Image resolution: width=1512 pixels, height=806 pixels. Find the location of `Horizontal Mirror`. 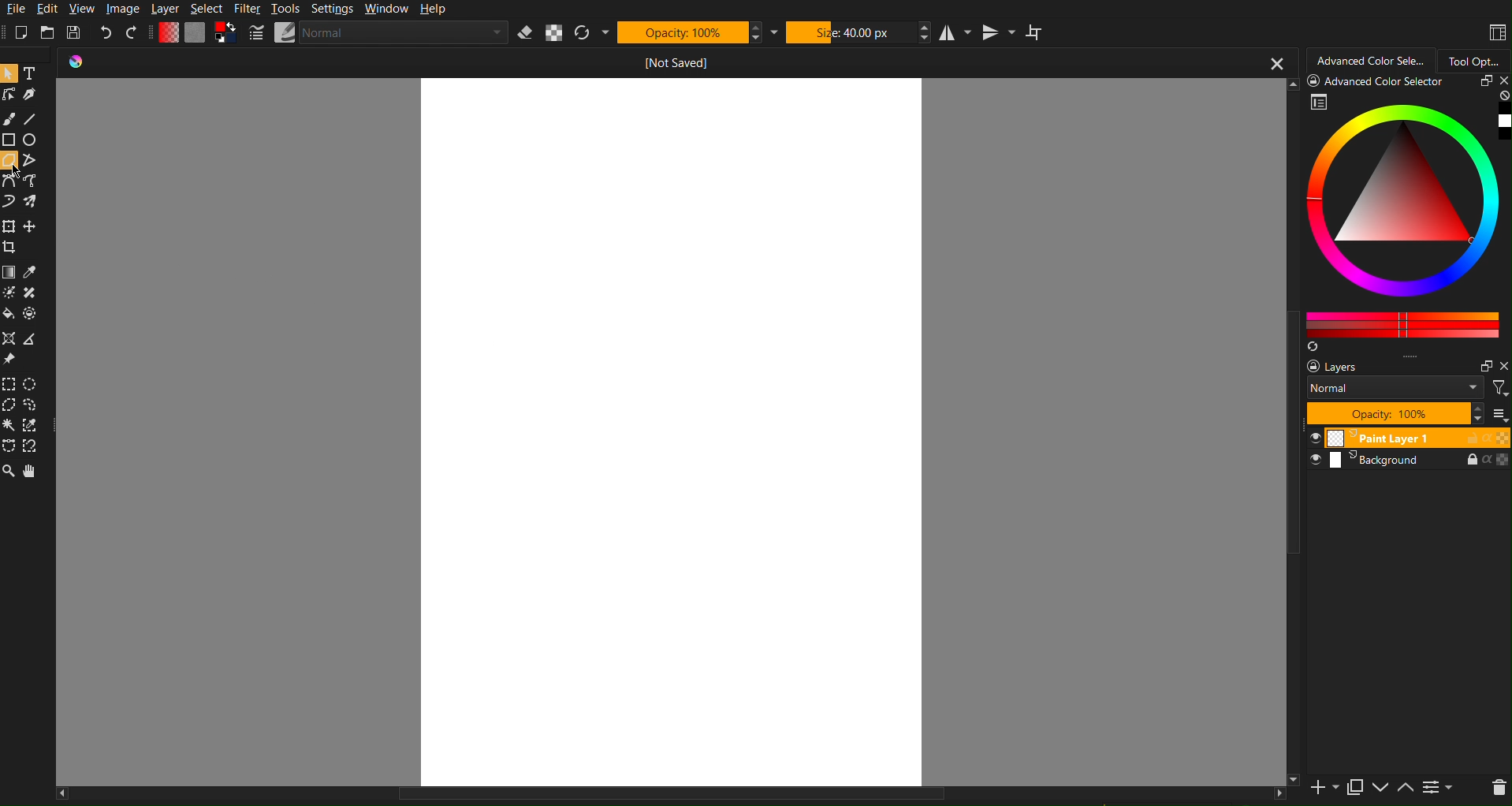

Horizontal Mirror is located at coordinates (955, 32).